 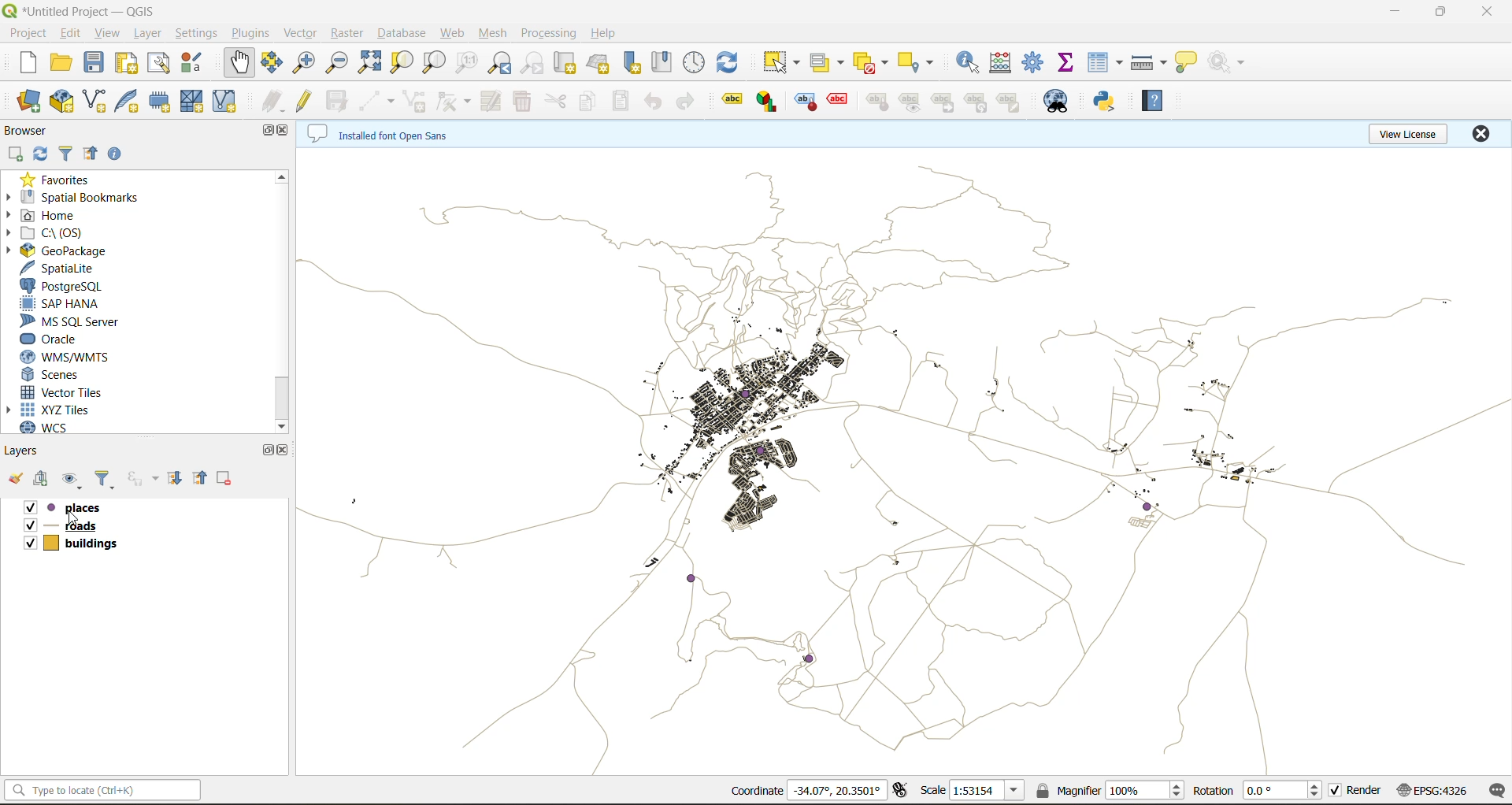 I want to click on no action, so click(x=1228, y=62).